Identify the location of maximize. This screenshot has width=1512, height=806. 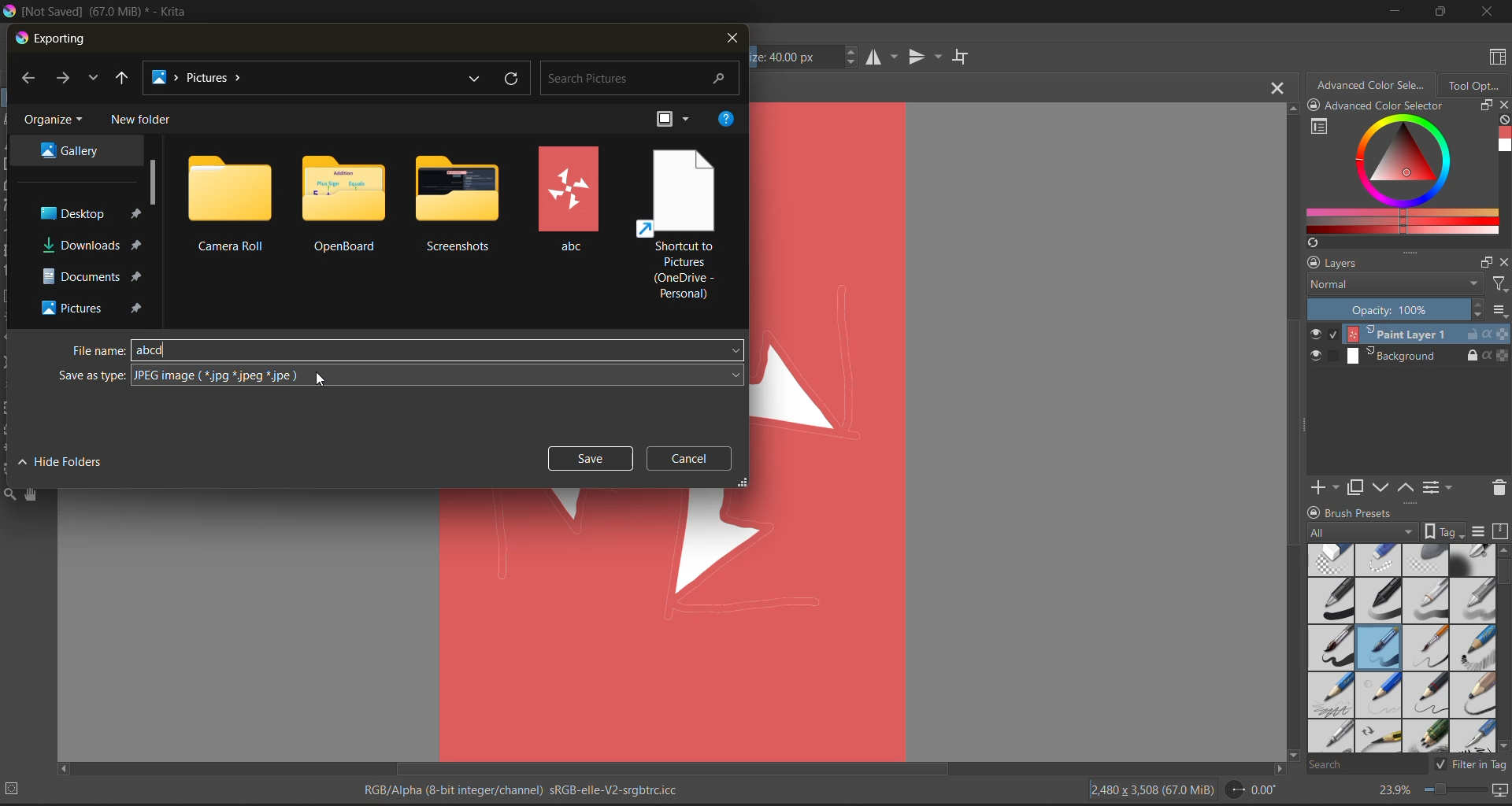
(1440, 10).